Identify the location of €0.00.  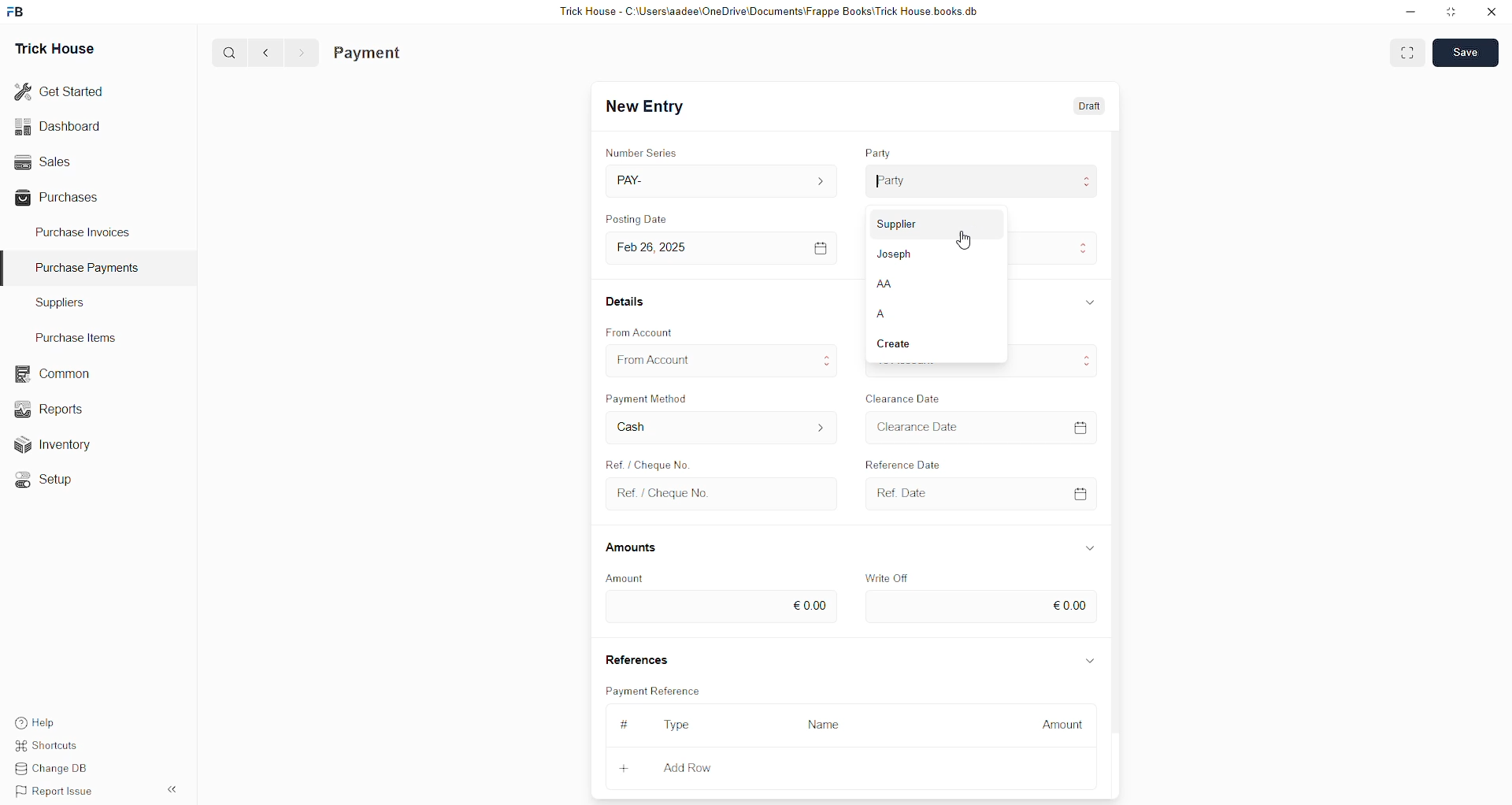
(980, 607).